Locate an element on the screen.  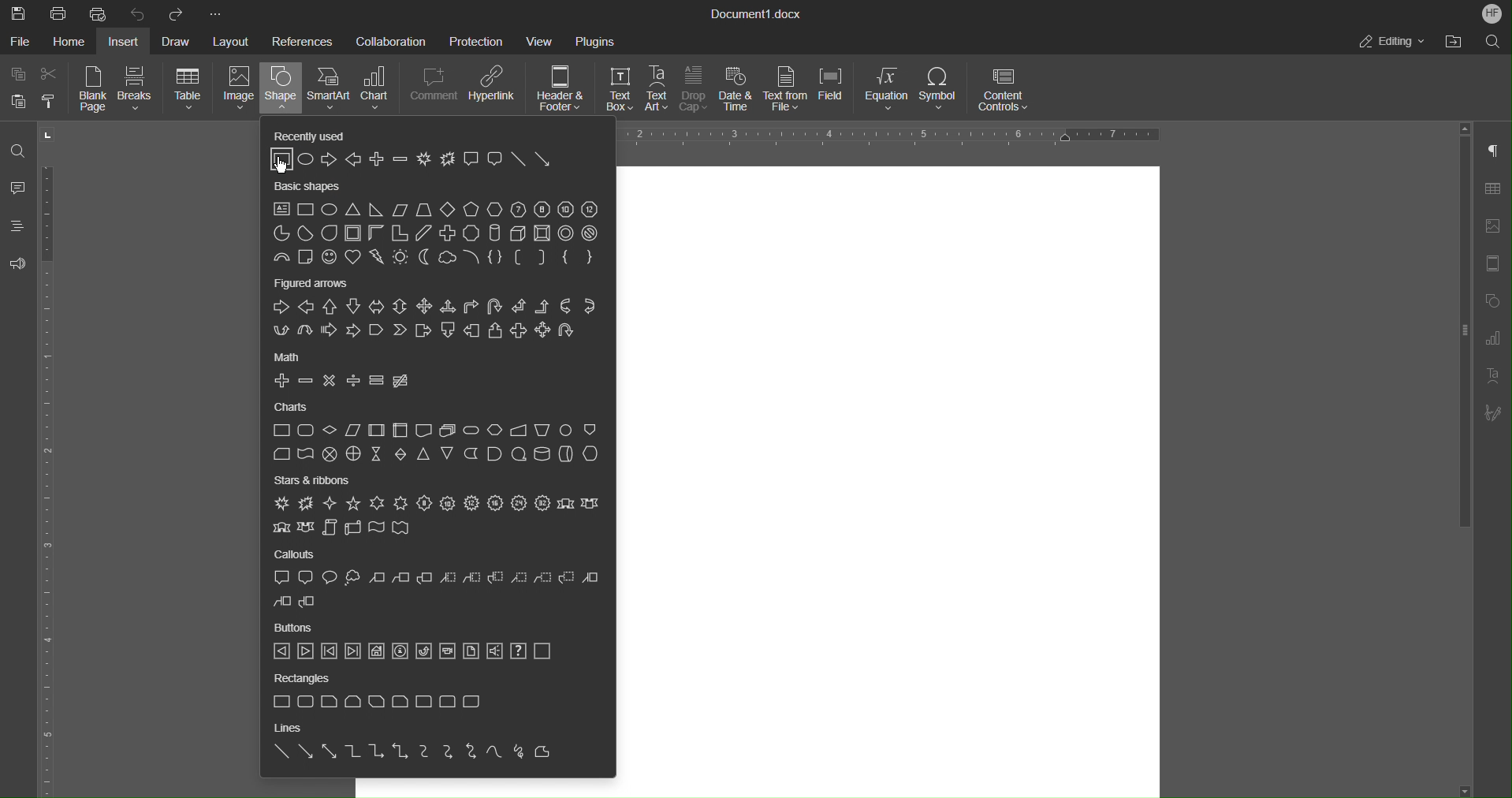
Tab stop is located at coordinates (49, 135).